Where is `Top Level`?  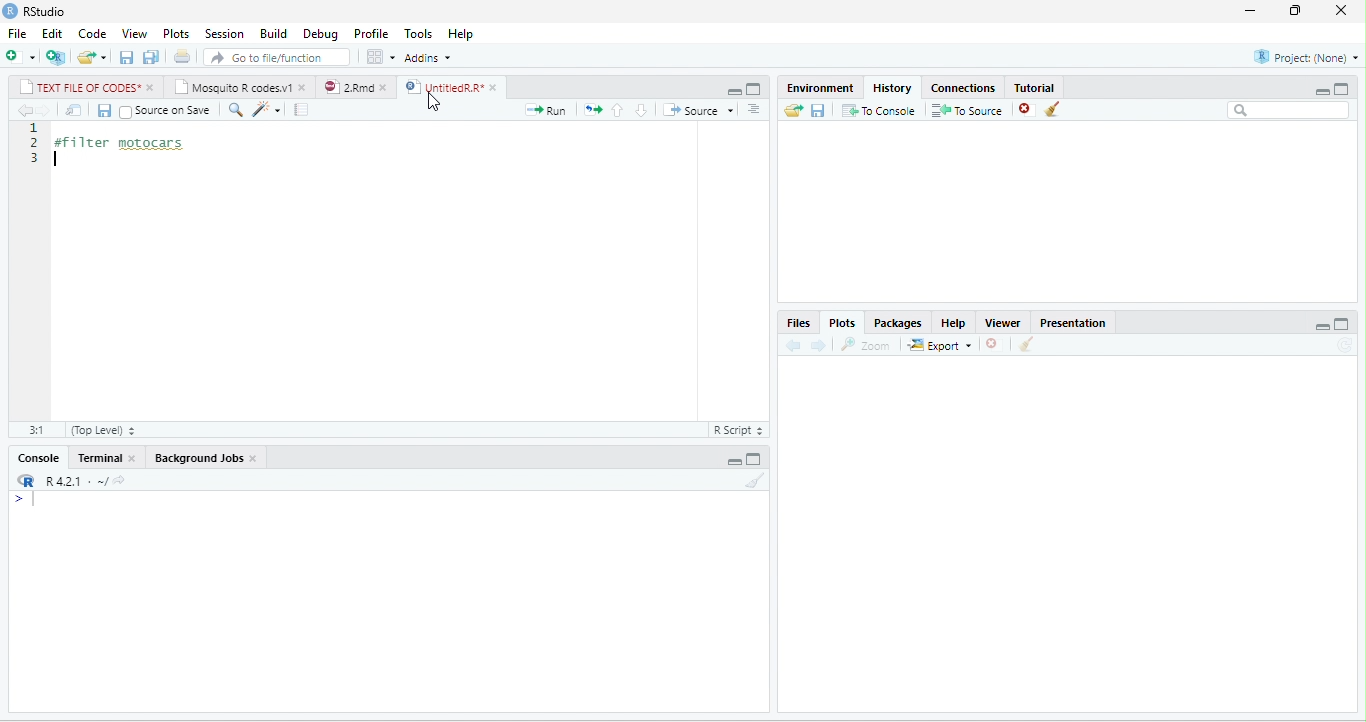
Top Level is located at coordinates (104, 430).